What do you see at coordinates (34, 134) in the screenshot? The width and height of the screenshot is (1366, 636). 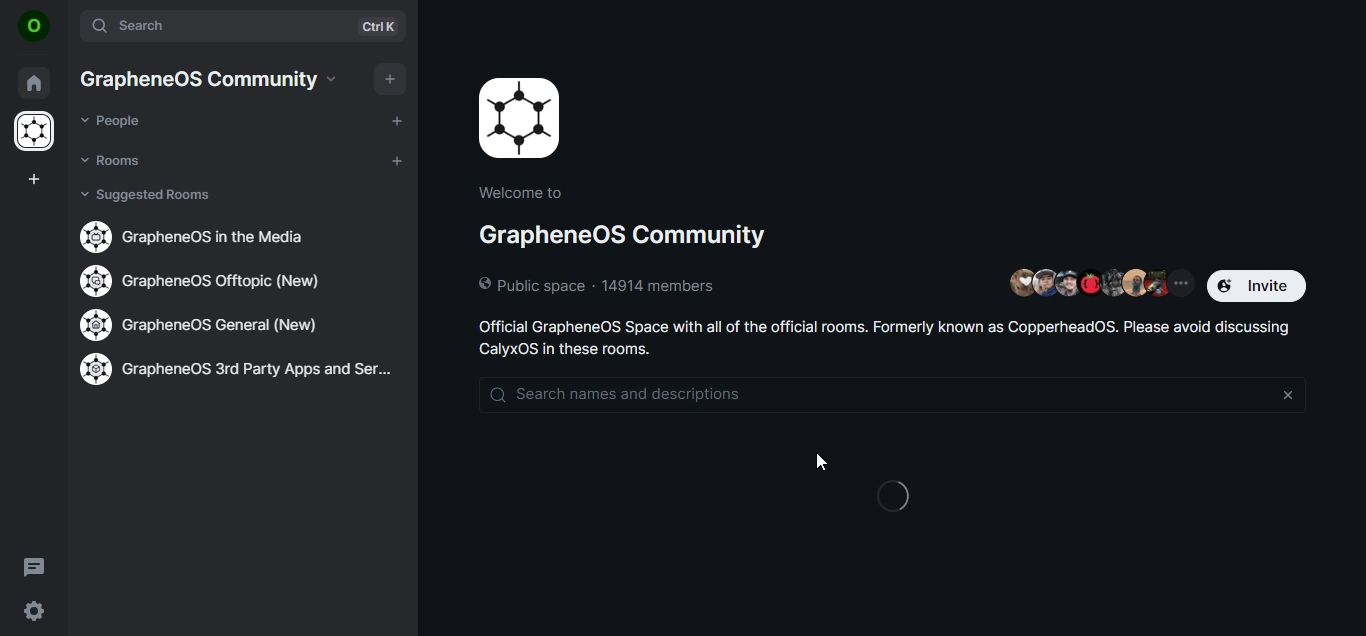 I see `icon` at bounding box center [34, 134].